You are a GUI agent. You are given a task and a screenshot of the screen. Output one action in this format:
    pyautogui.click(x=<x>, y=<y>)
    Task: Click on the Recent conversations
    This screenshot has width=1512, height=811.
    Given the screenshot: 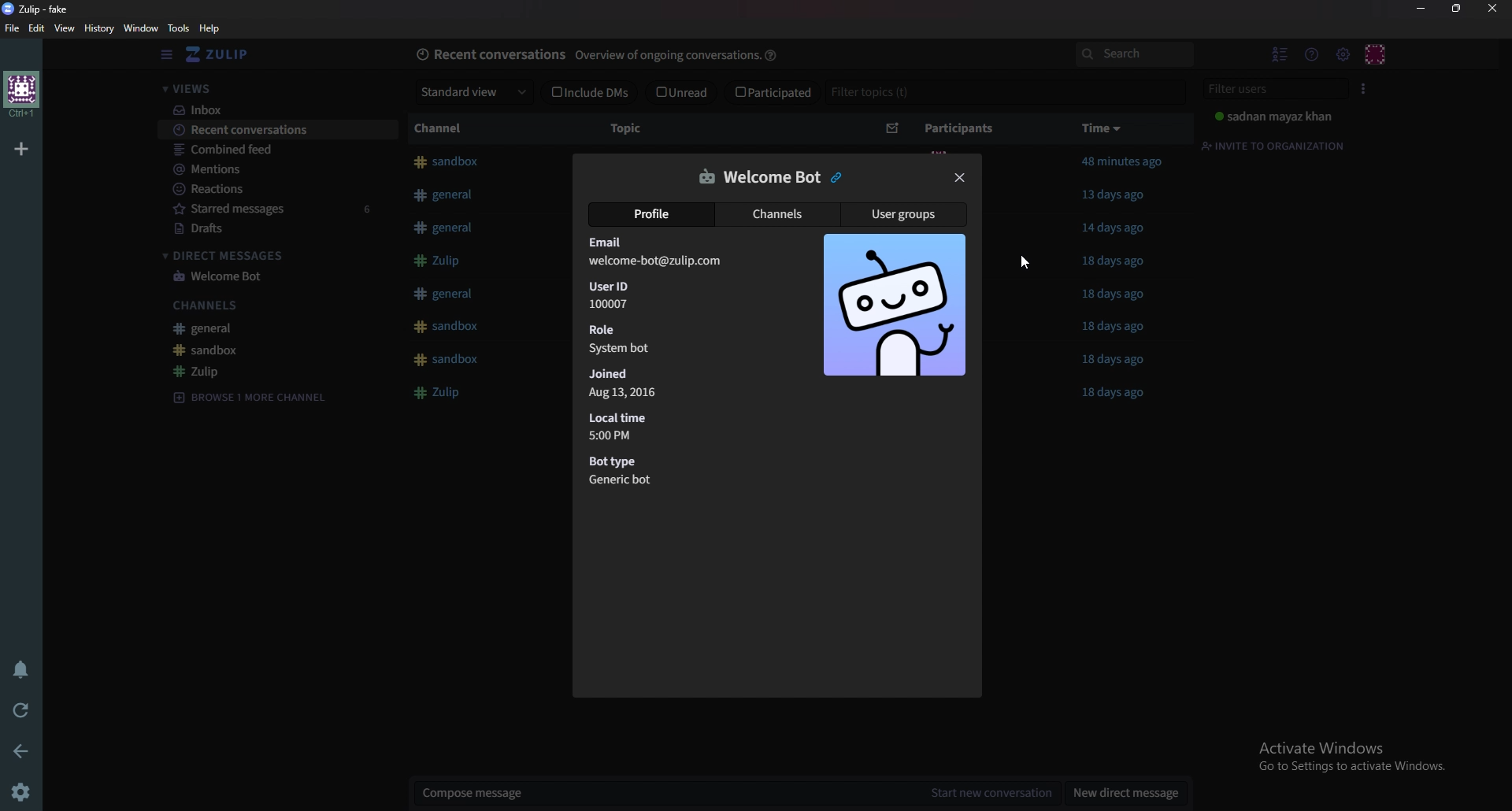 What is the action you would take?
    pyautogui.click(x=490, y=55)
    